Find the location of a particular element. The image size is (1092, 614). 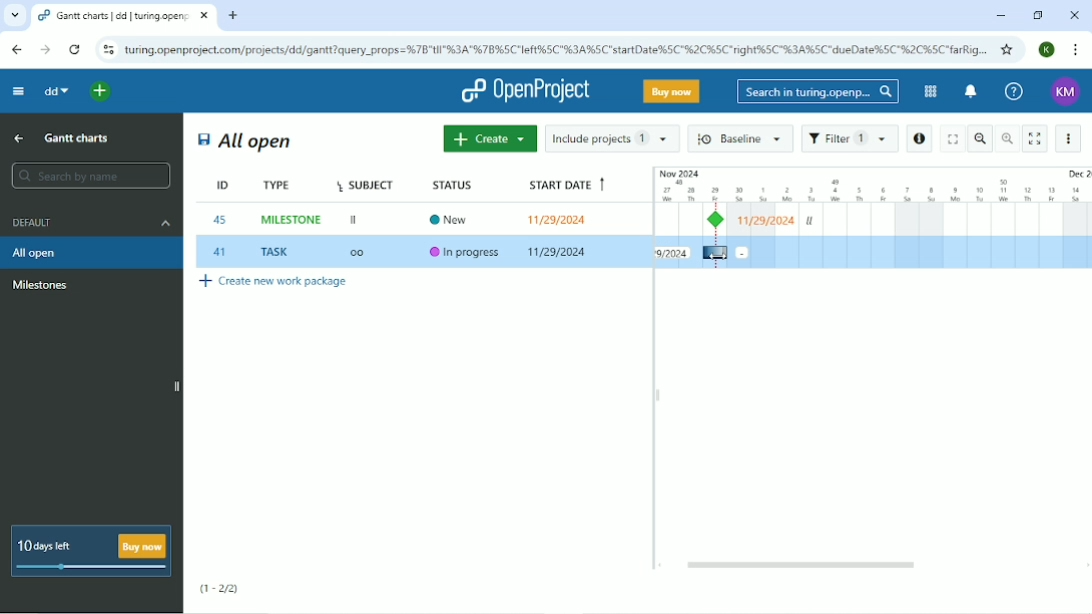

Include projects is located at coordinates (612, 138).